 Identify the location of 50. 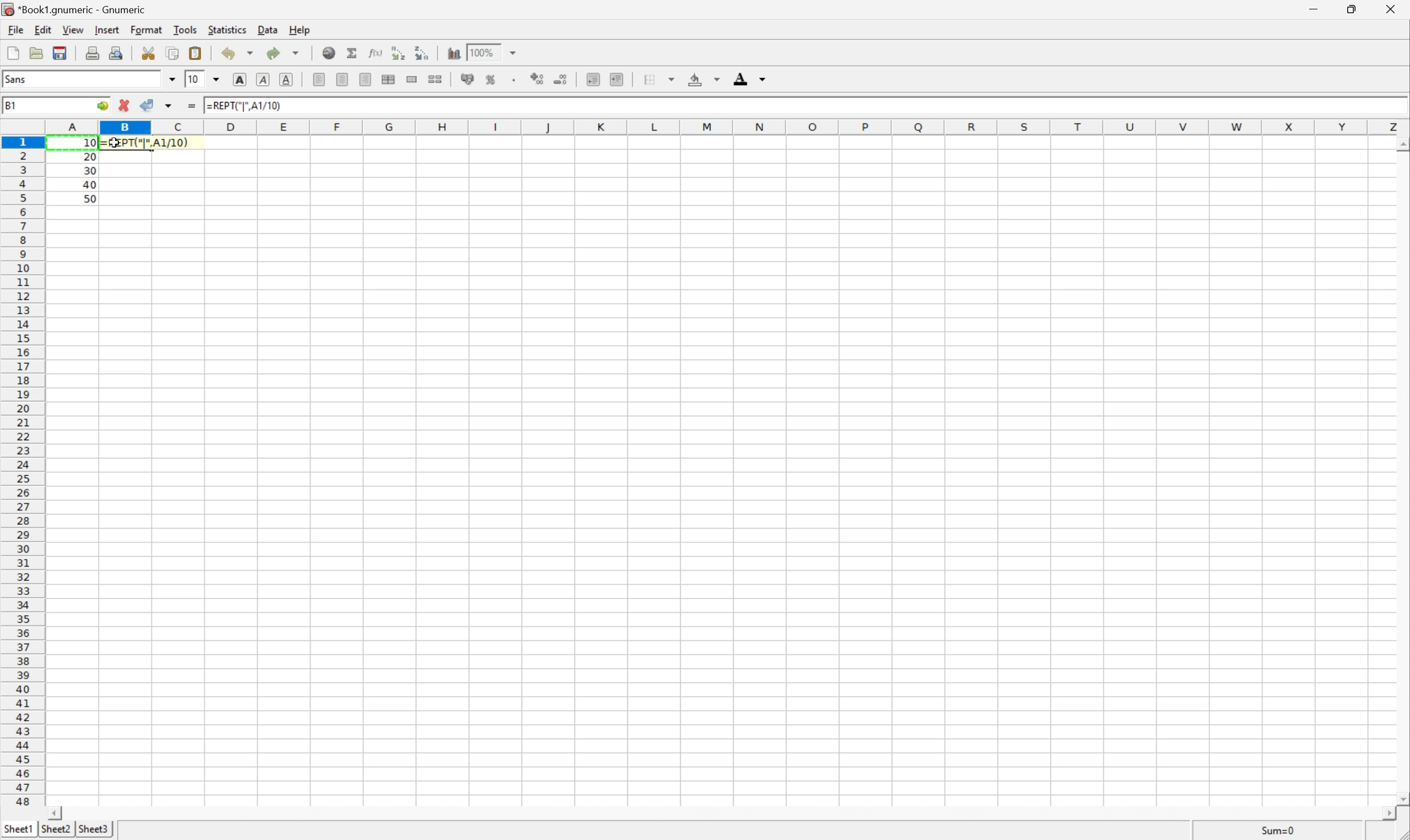
(90, 199).